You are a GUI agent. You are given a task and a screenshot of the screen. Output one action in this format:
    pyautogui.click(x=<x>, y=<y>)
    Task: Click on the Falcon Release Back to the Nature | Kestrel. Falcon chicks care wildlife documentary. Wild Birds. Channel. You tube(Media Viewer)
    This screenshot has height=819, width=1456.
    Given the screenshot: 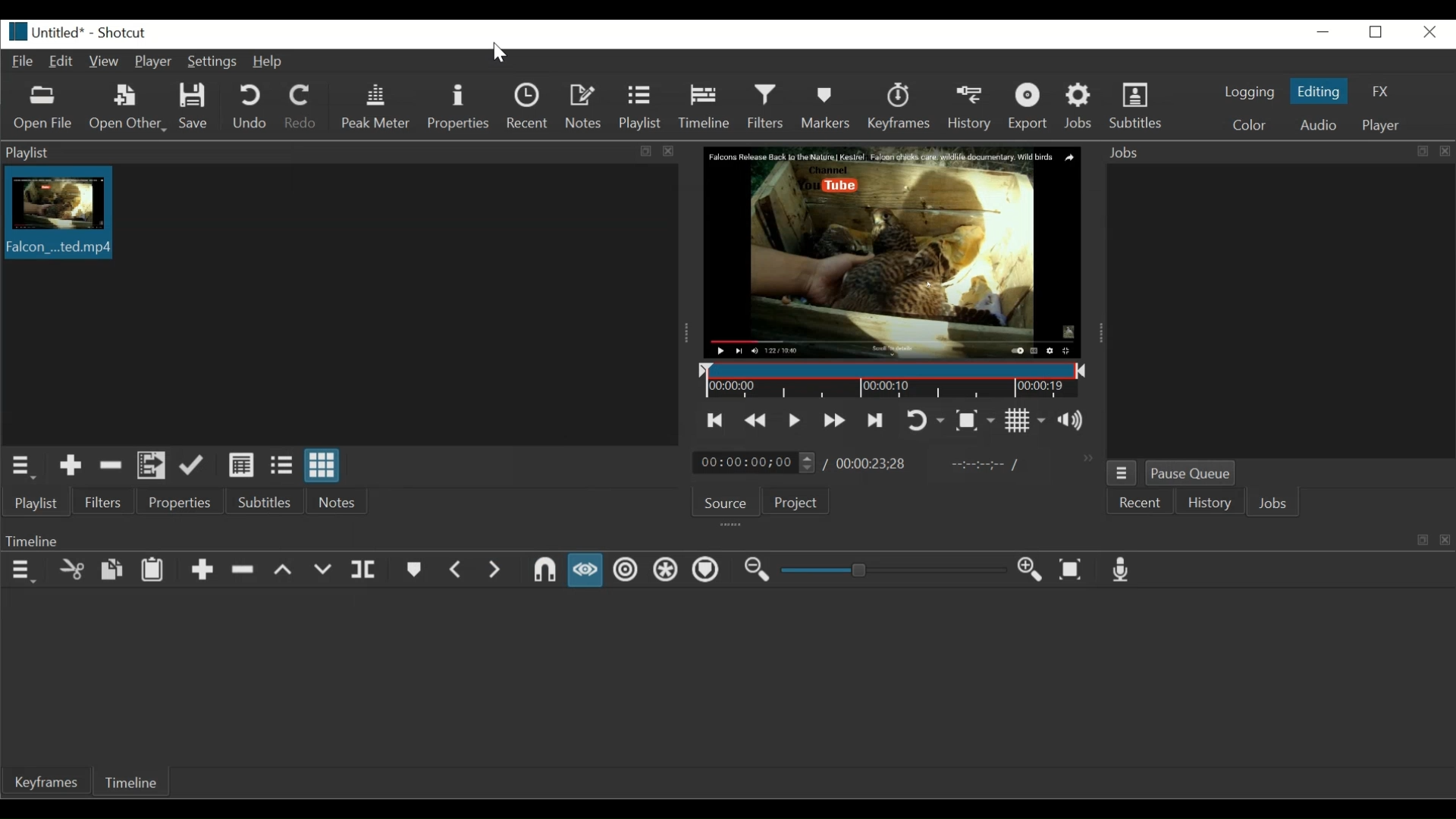 What is the action you would take?
    pyautogui.click(x=893, y=252)
    